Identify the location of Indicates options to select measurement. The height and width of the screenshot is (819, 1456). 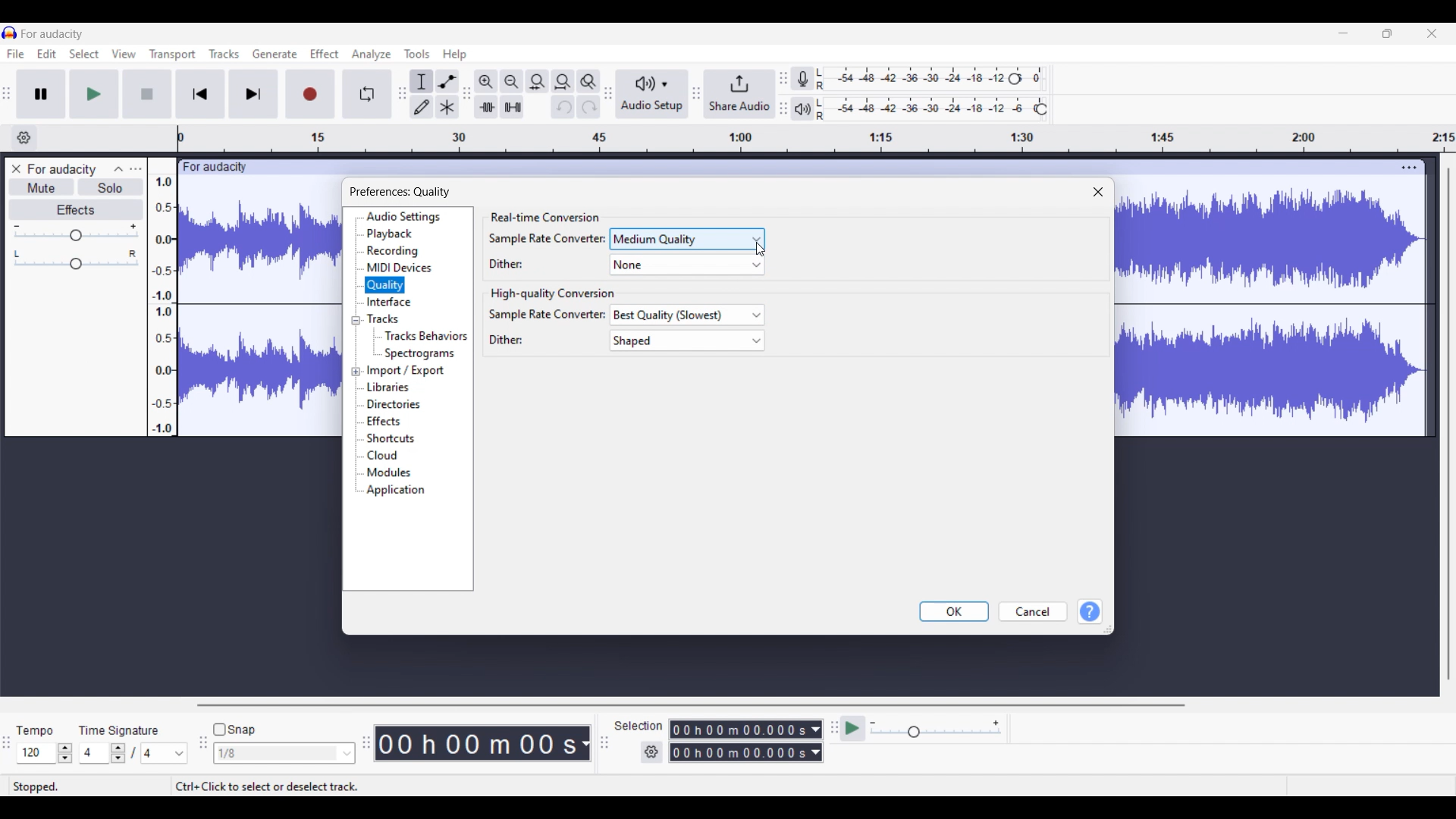
(639, 726).